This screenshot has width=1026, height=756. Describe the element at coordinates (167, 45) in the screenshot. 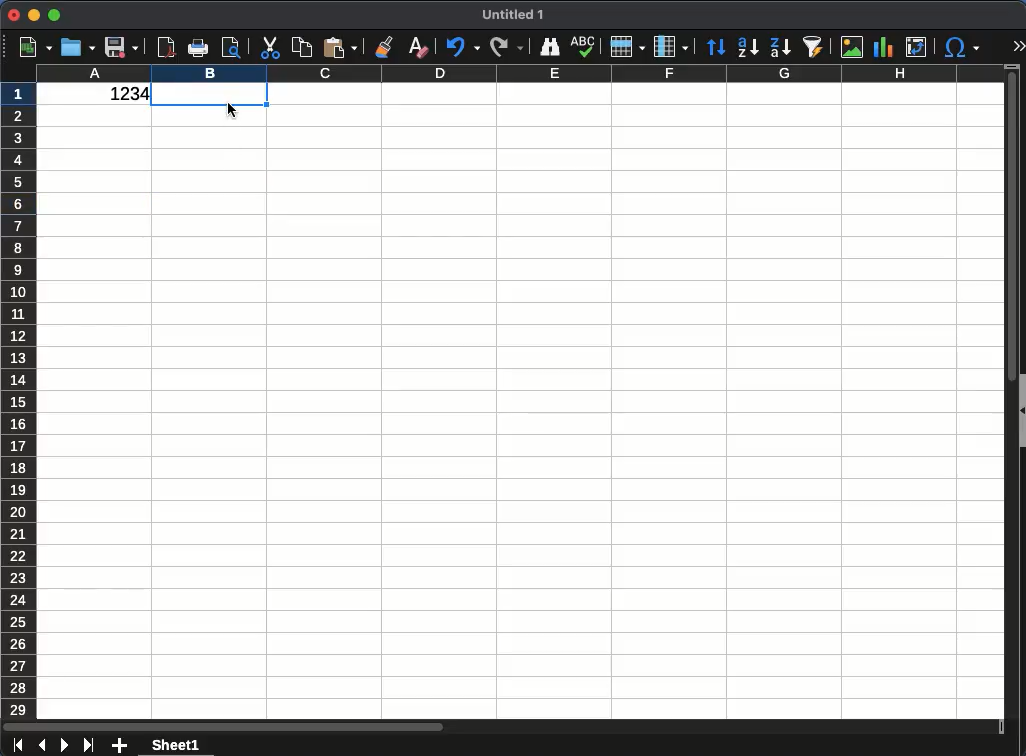

I see `pdf viewer` at that location.